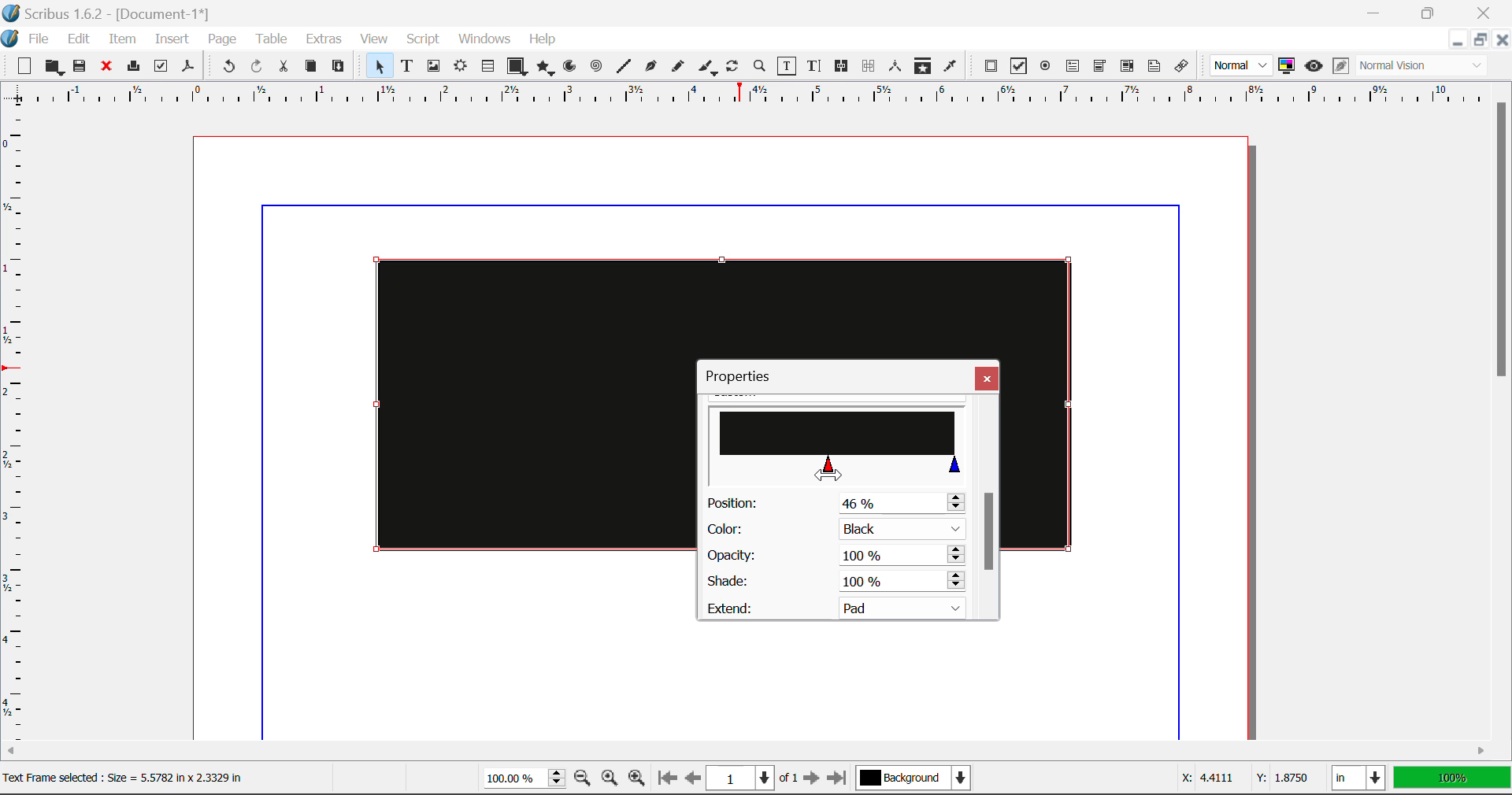 This screenshot has width=1512, height=795. Describe the element at coordinates (844, 66) in the screenshot. I see `Link Frames` at that location.